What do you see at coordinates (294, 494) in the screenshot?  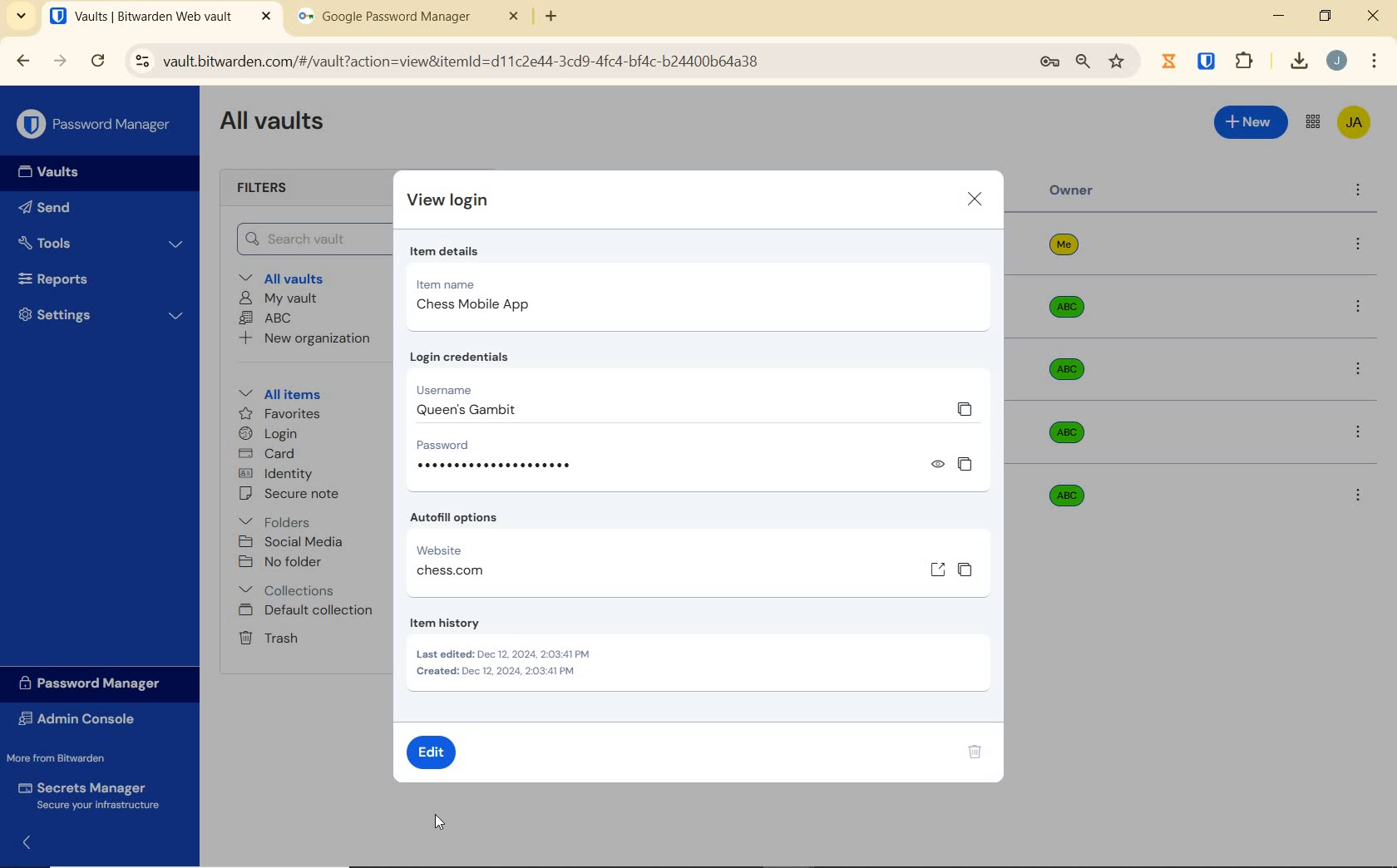 I see `secure note` at bounding box center [294, 494].